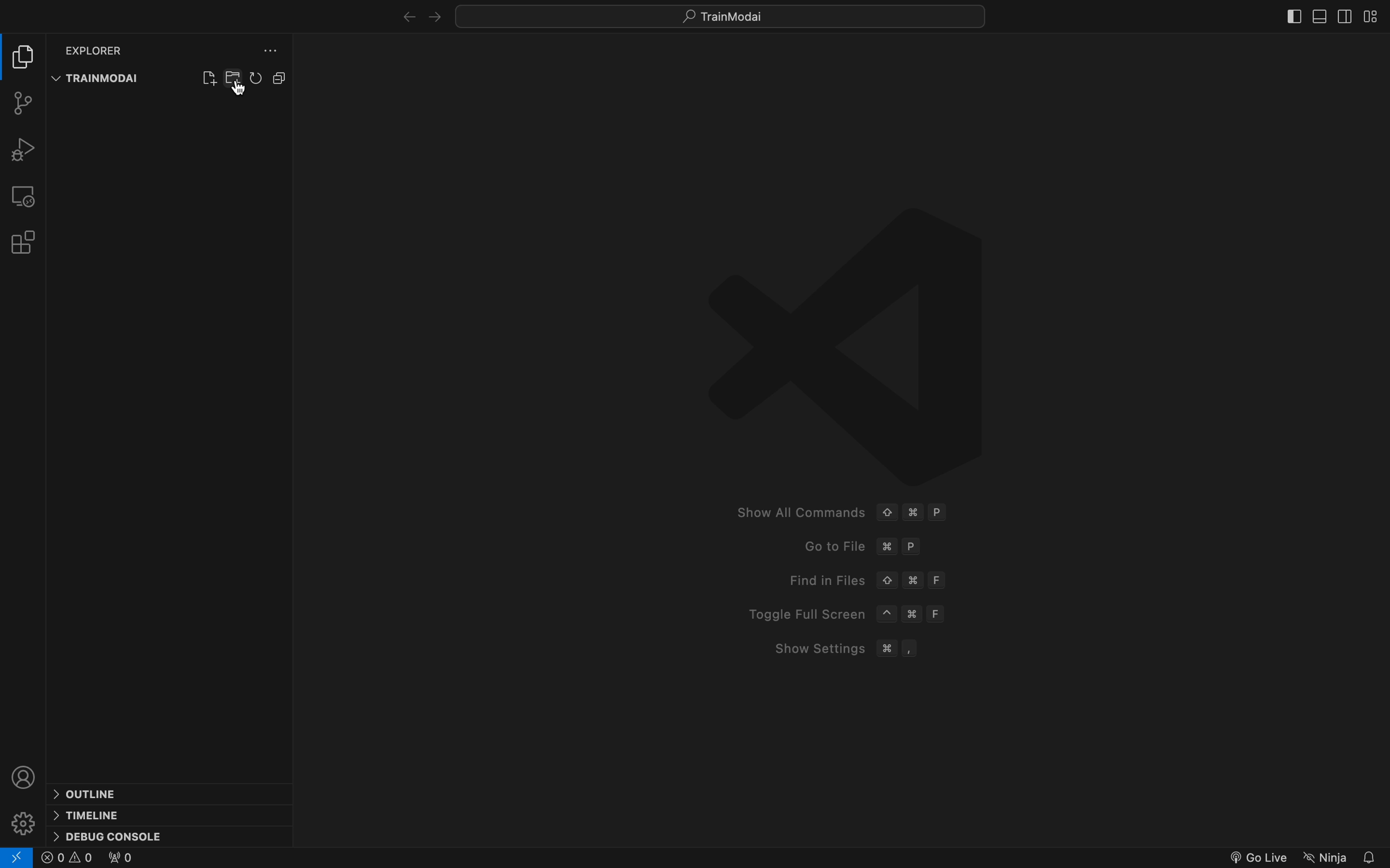  I want to click on create folder, so click(234, 76).